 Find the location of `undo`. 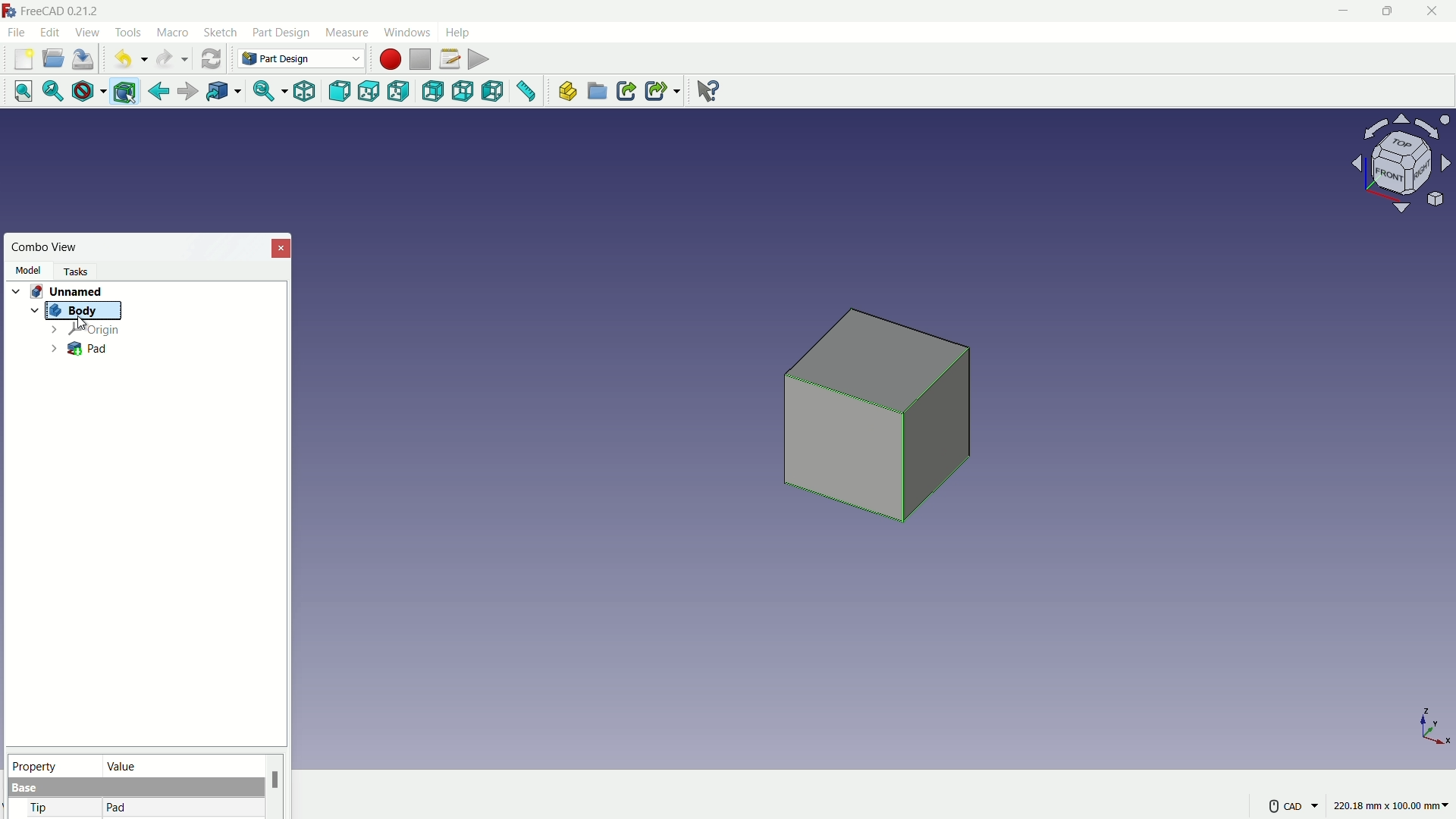

undo is located at coordinates (127, 60).